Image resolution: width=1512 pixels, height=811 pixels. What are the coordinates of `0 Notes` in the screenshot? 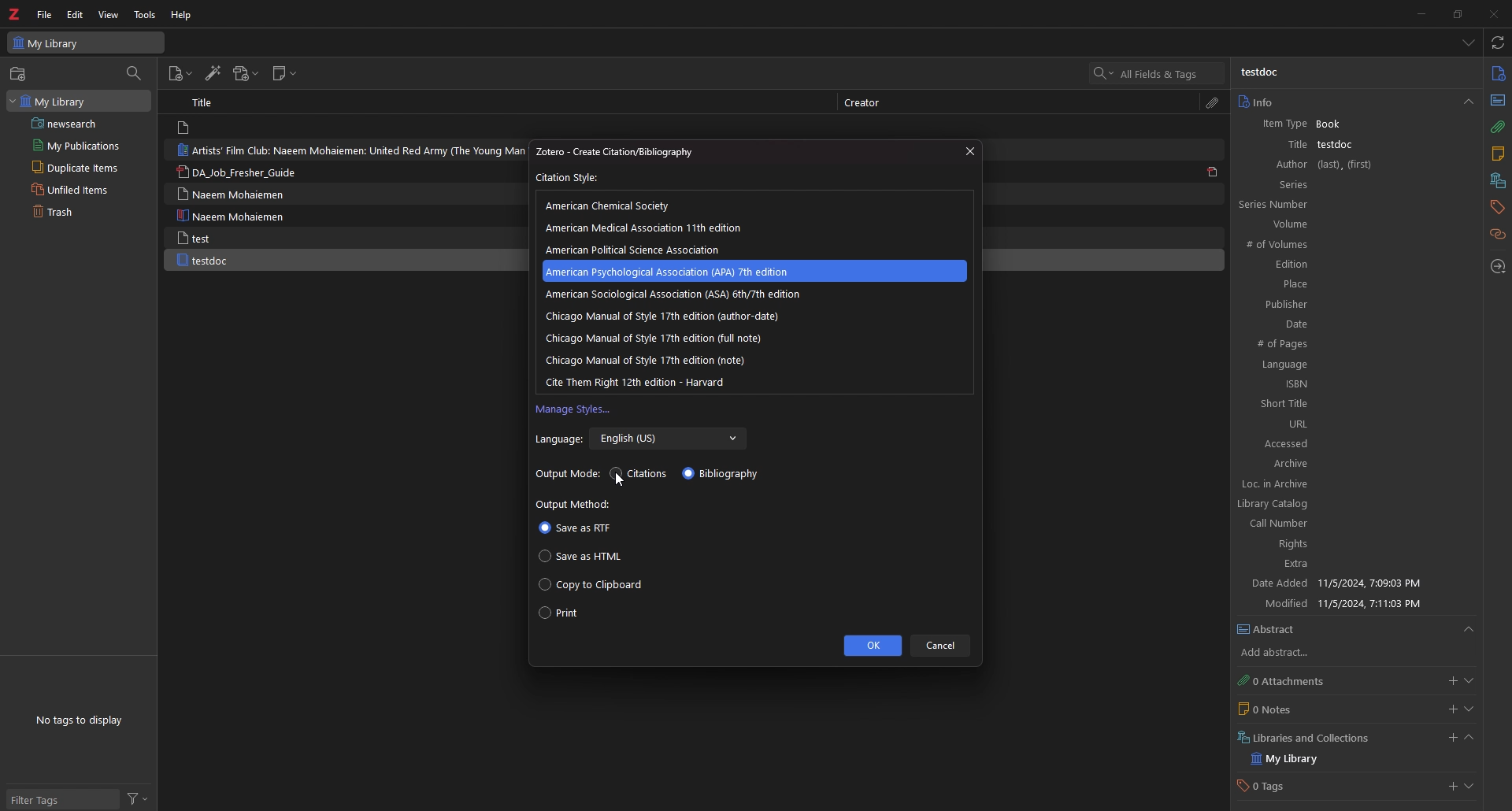 It's located at (1295, 709).